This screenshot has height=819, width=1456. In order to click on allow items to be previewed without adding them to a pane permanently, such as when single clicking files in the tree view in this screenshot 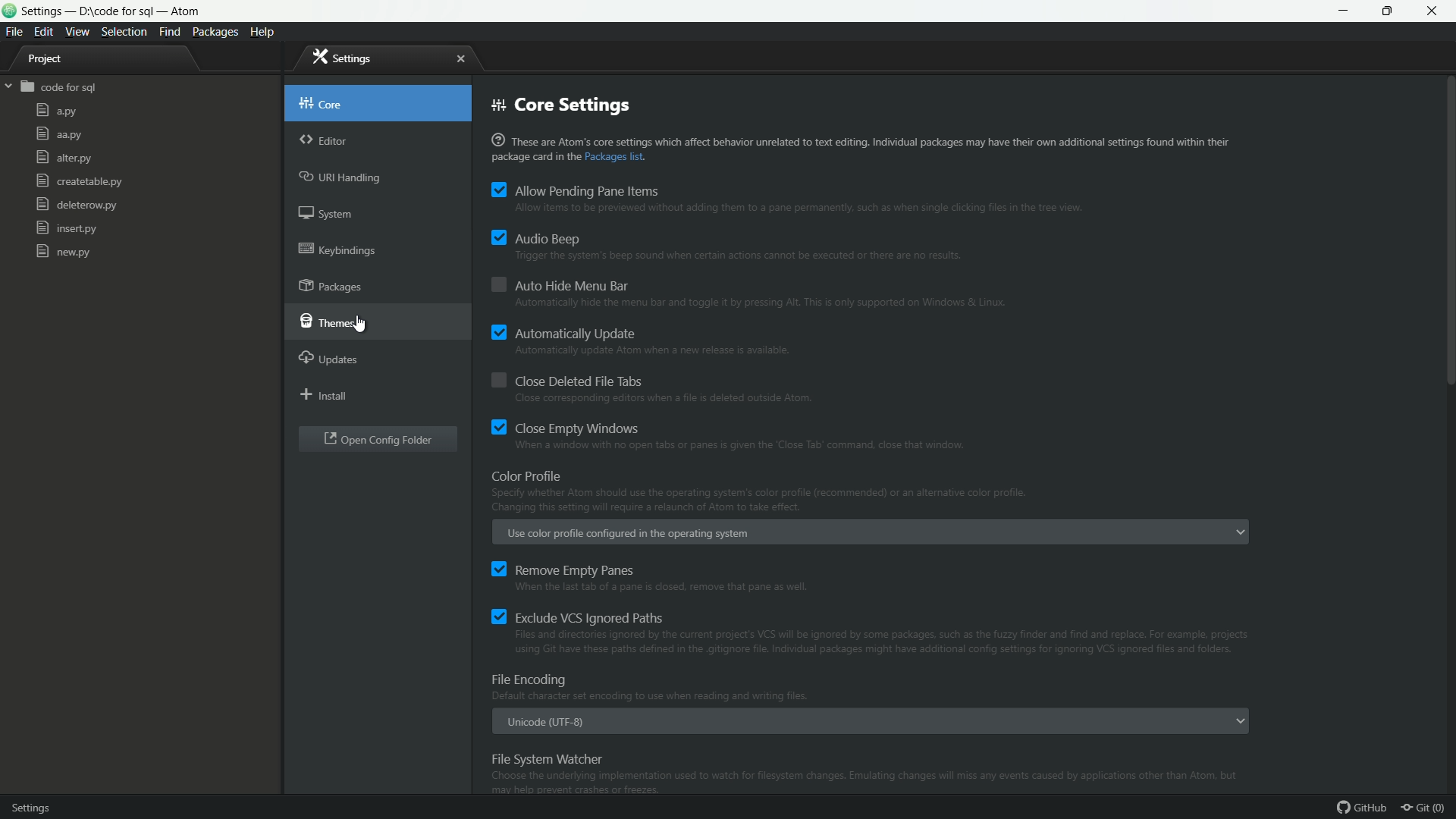, I will do `click(796, 209)`.